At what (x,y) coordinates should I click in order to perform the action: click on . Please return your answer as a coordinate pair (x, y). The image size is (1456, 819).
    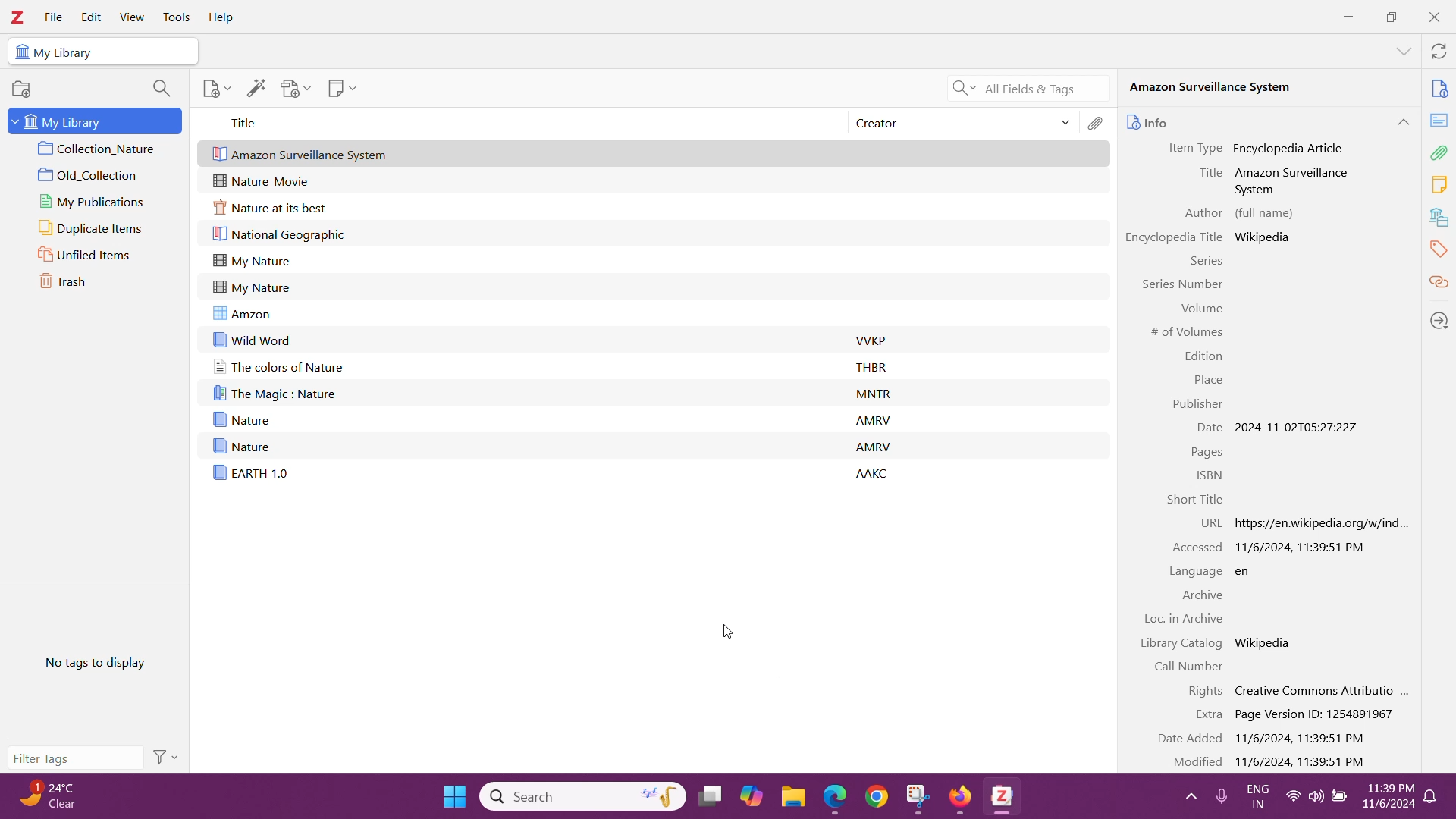
    Looking at the image, I should click on (1203, 428).